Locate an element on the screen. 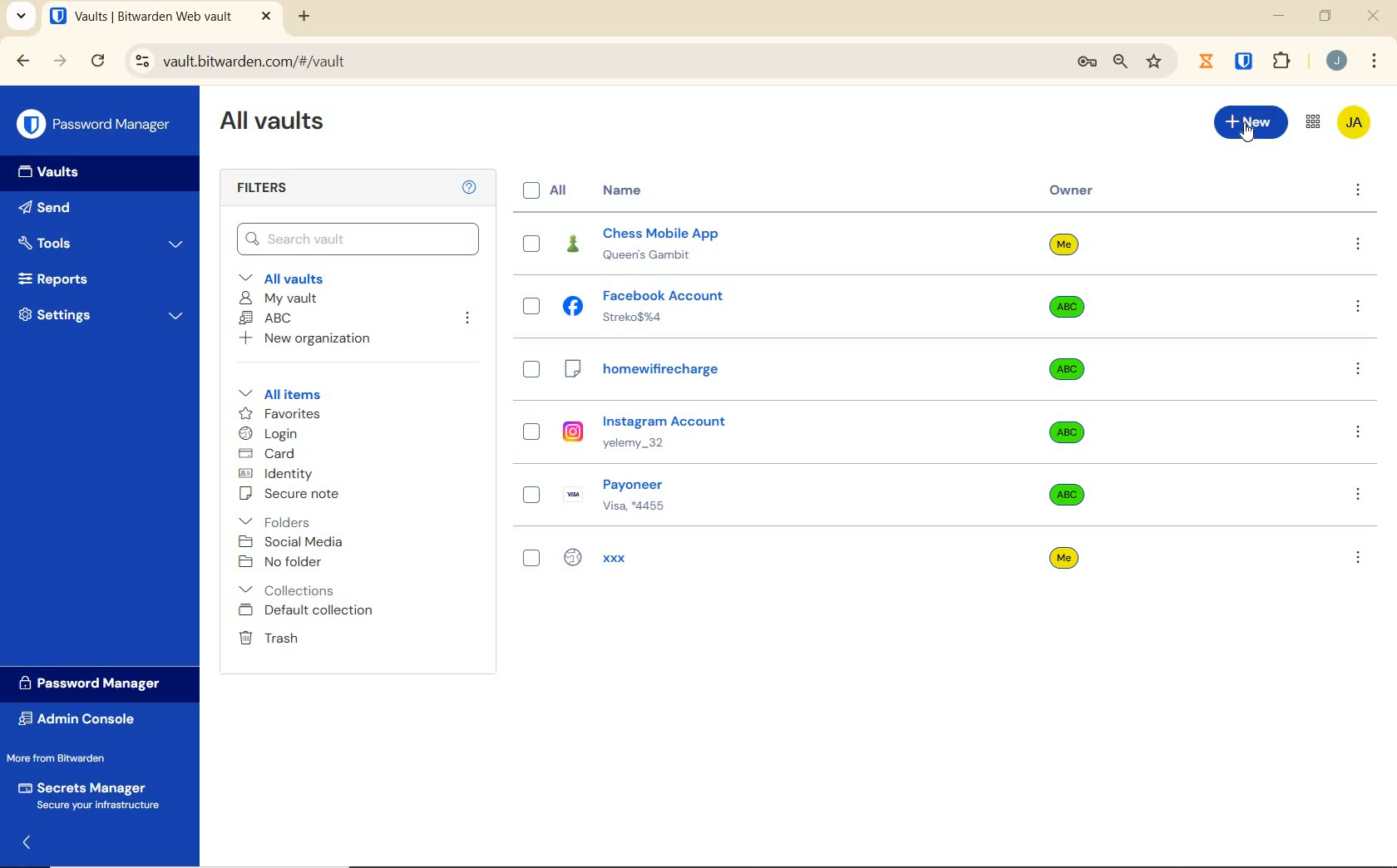 This screenshot has height=868, width=1397. facebook account is located at coordinates (766, 306).